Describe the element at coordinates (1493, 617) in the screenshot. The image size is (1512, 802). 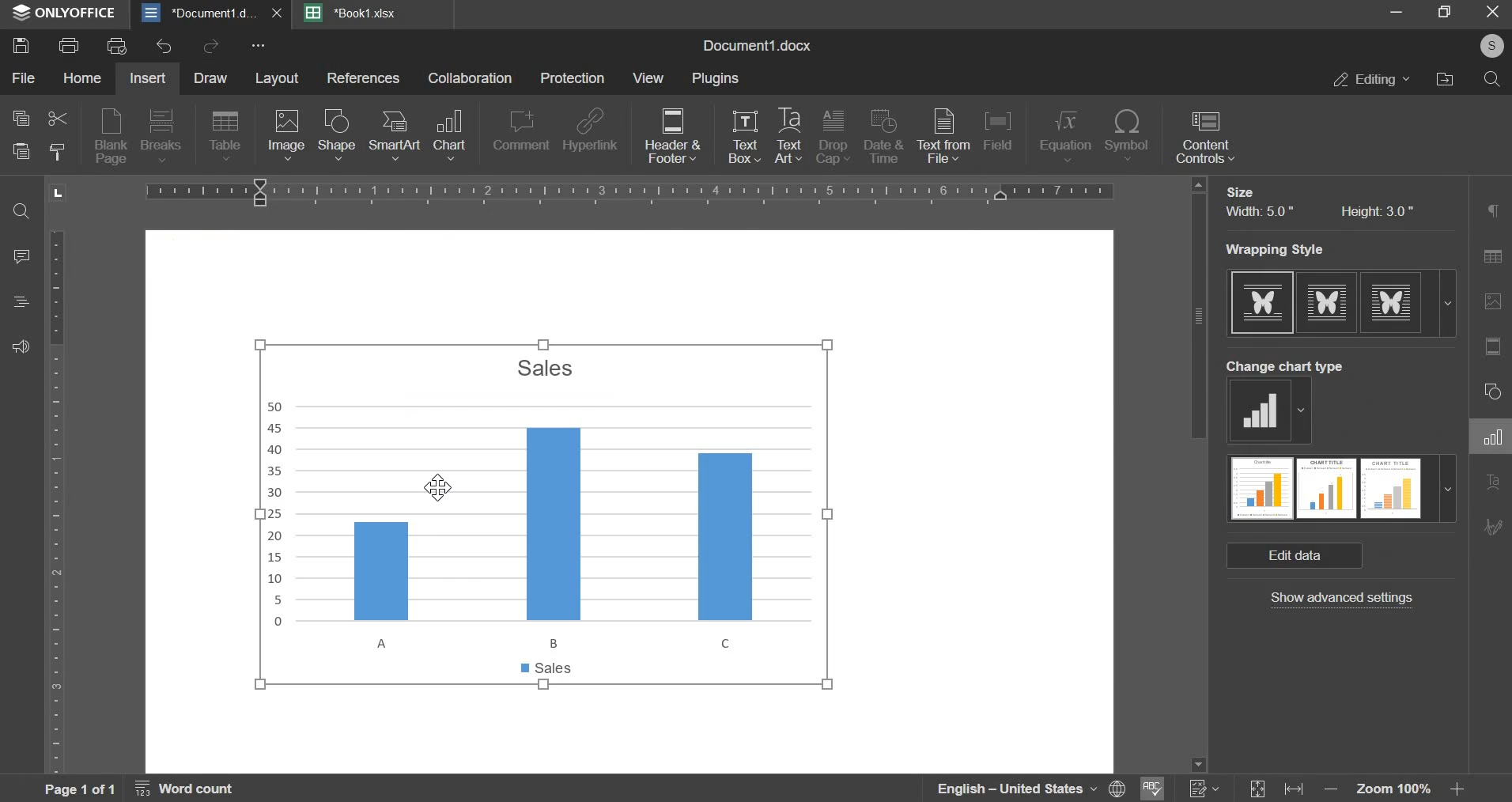
I see `Collaboration/Chat Tool` at that location.